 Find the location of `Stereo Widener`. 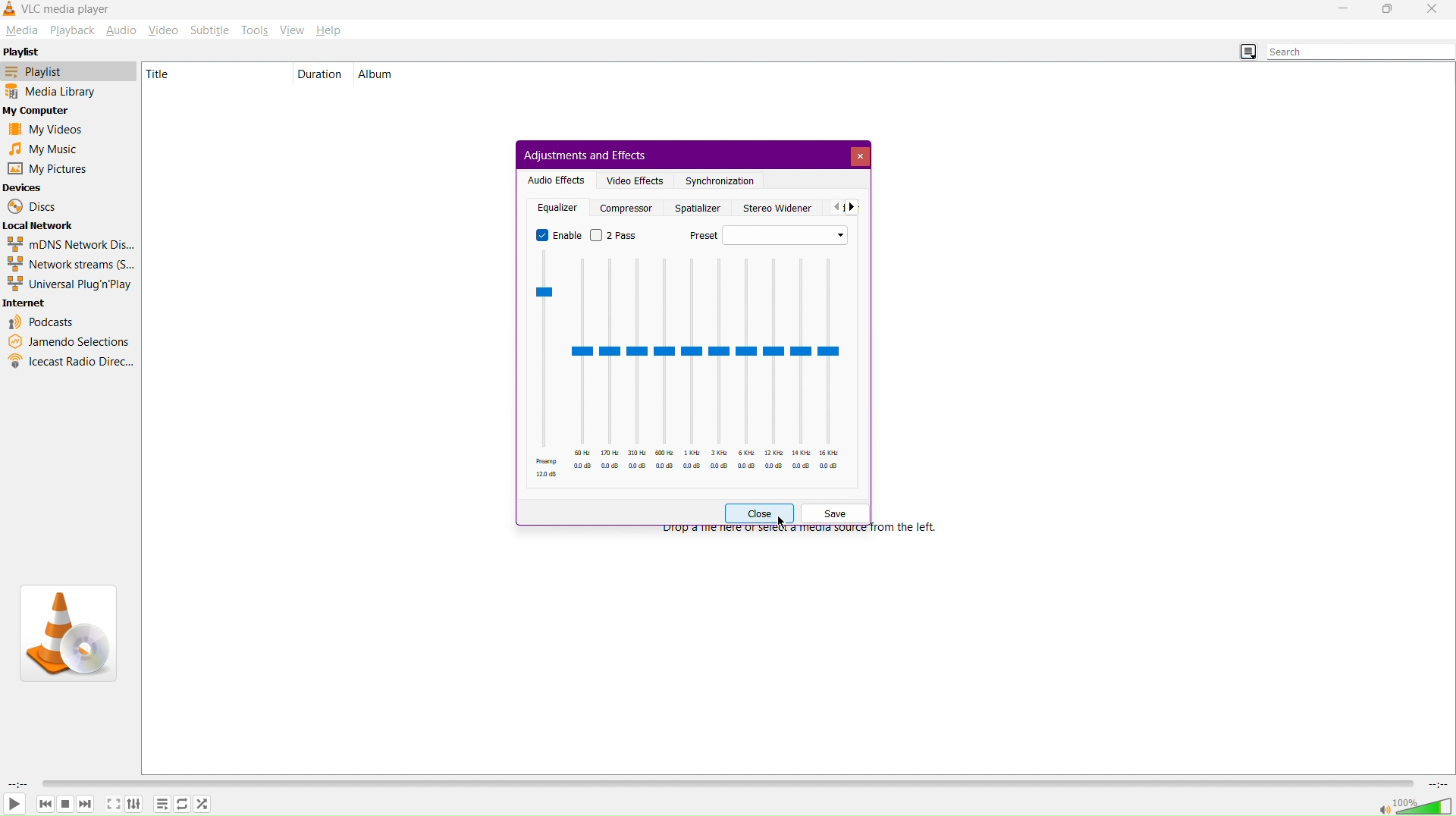

Stereo Widener is located at coordinates (778, 208).